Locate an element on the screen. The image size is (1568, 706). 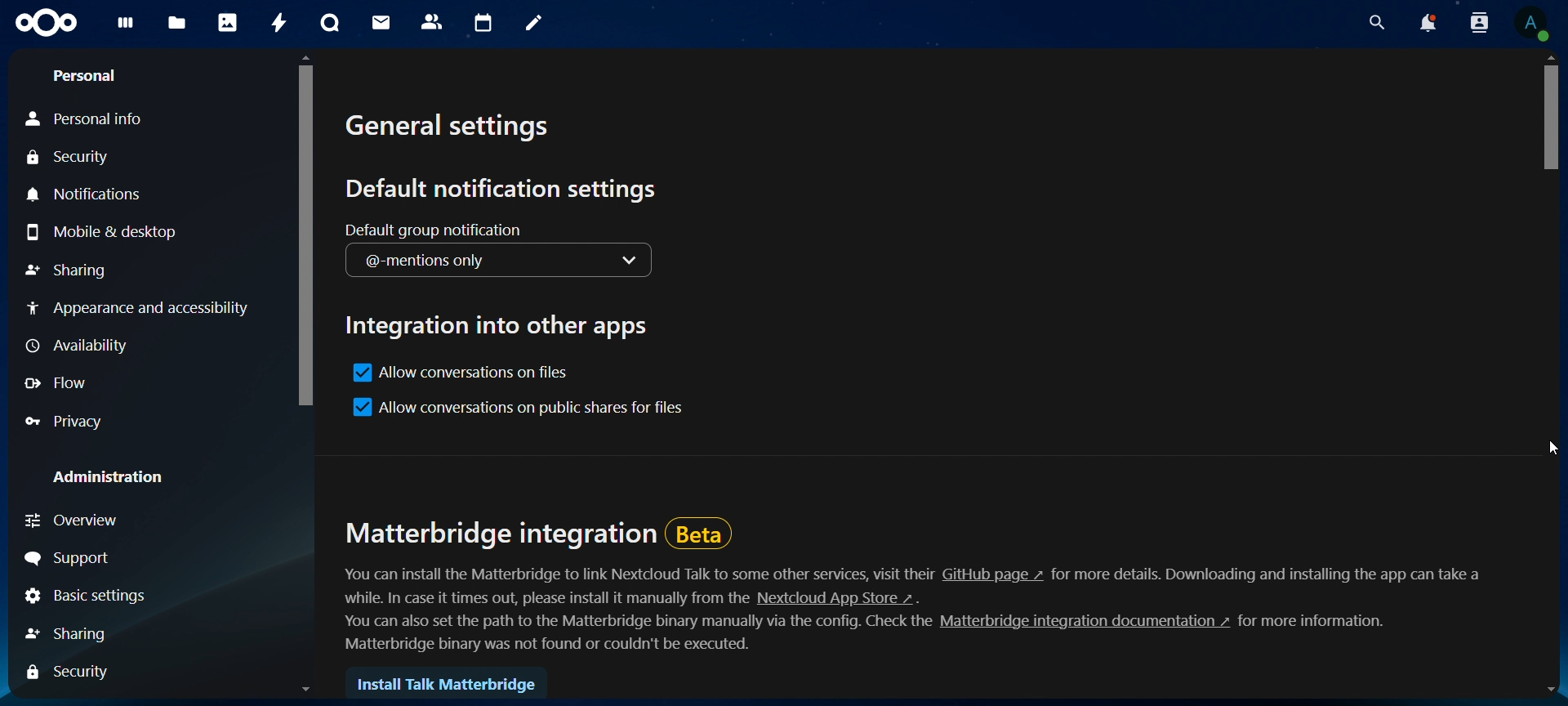
Privacy is located at coordinates (128, 423).